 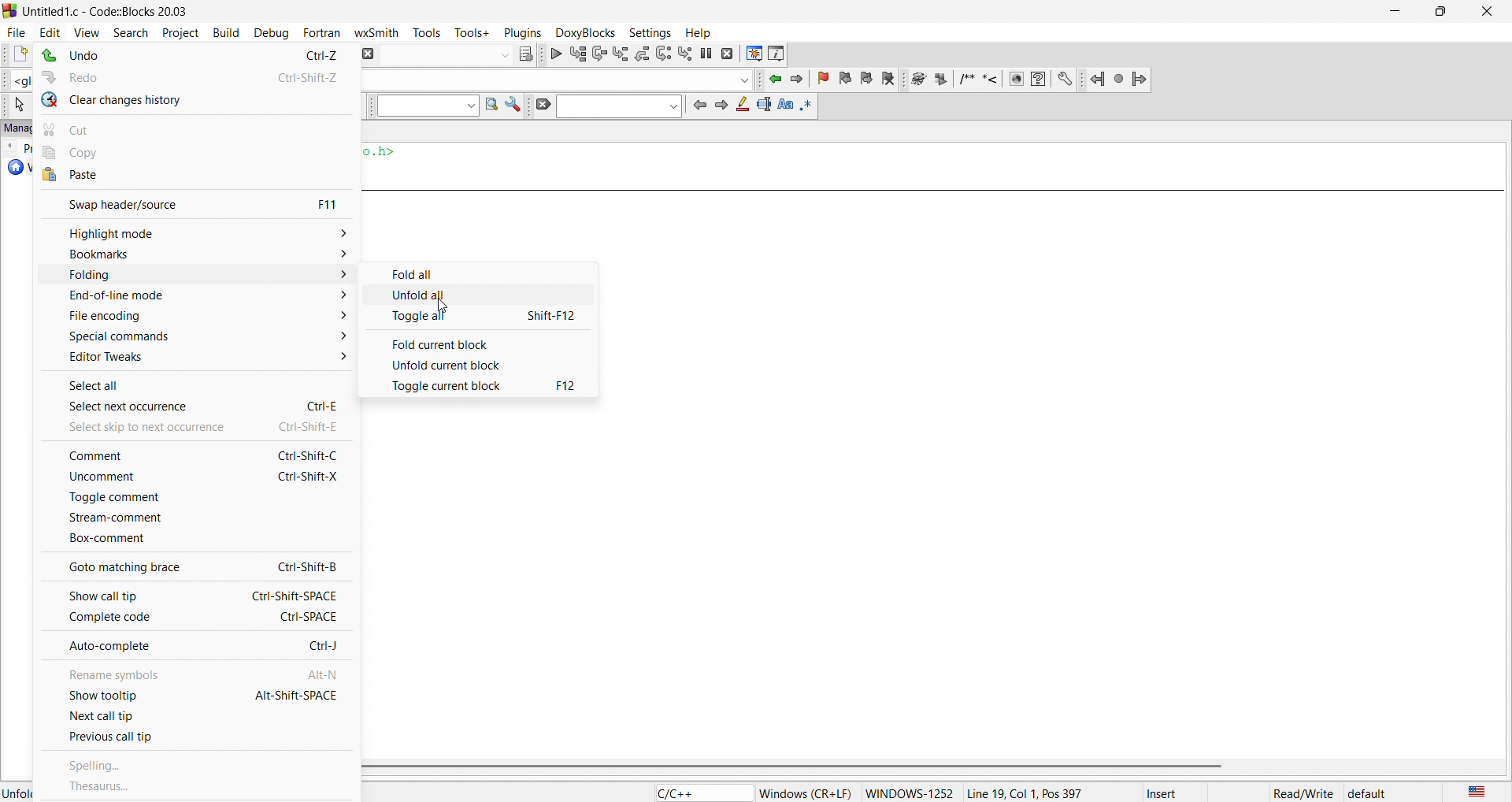 I want to click on wxsmith, so click(x=380, y=31).